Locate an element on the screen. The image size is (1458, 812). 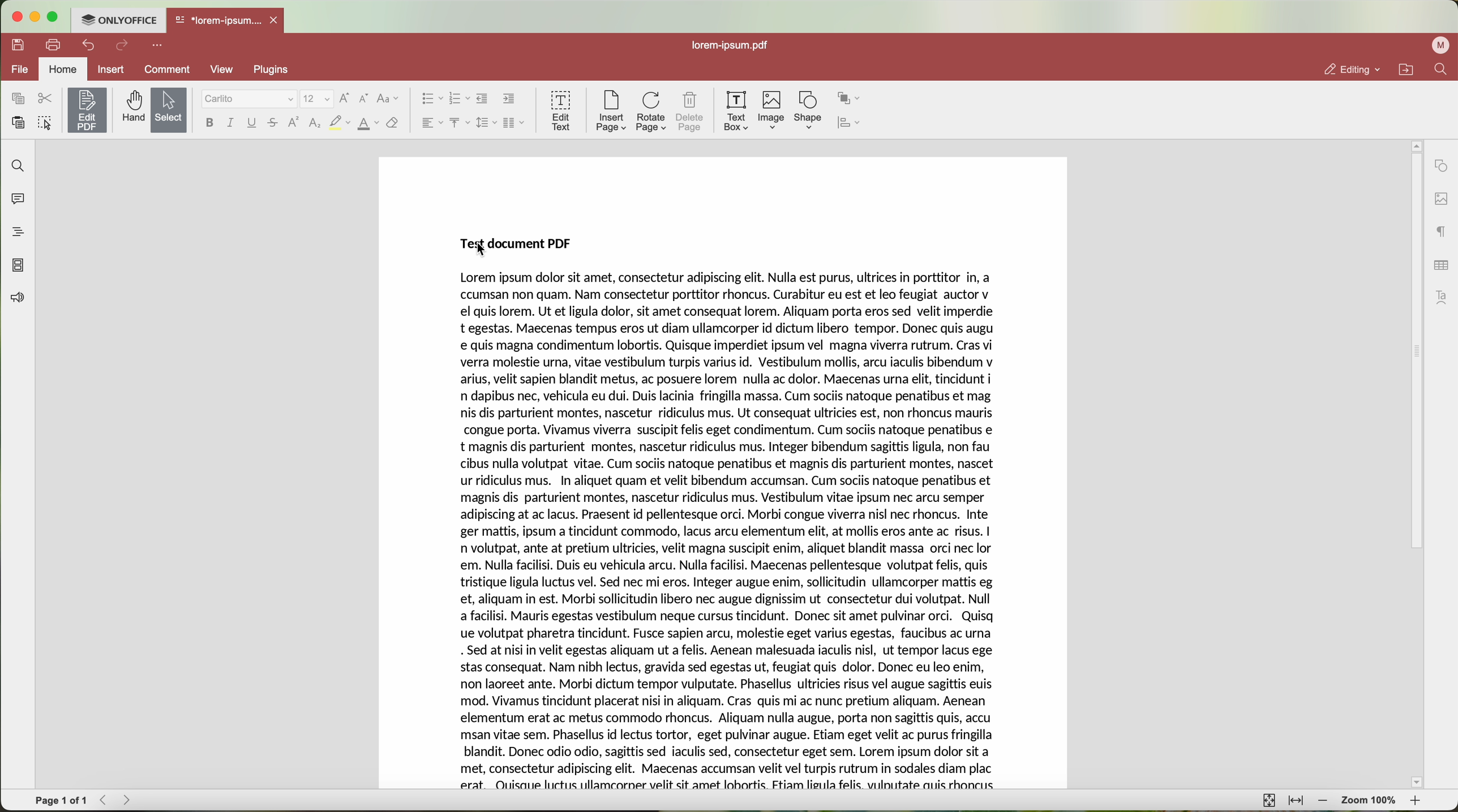
text art settings is located at coordinates (1442, 297).